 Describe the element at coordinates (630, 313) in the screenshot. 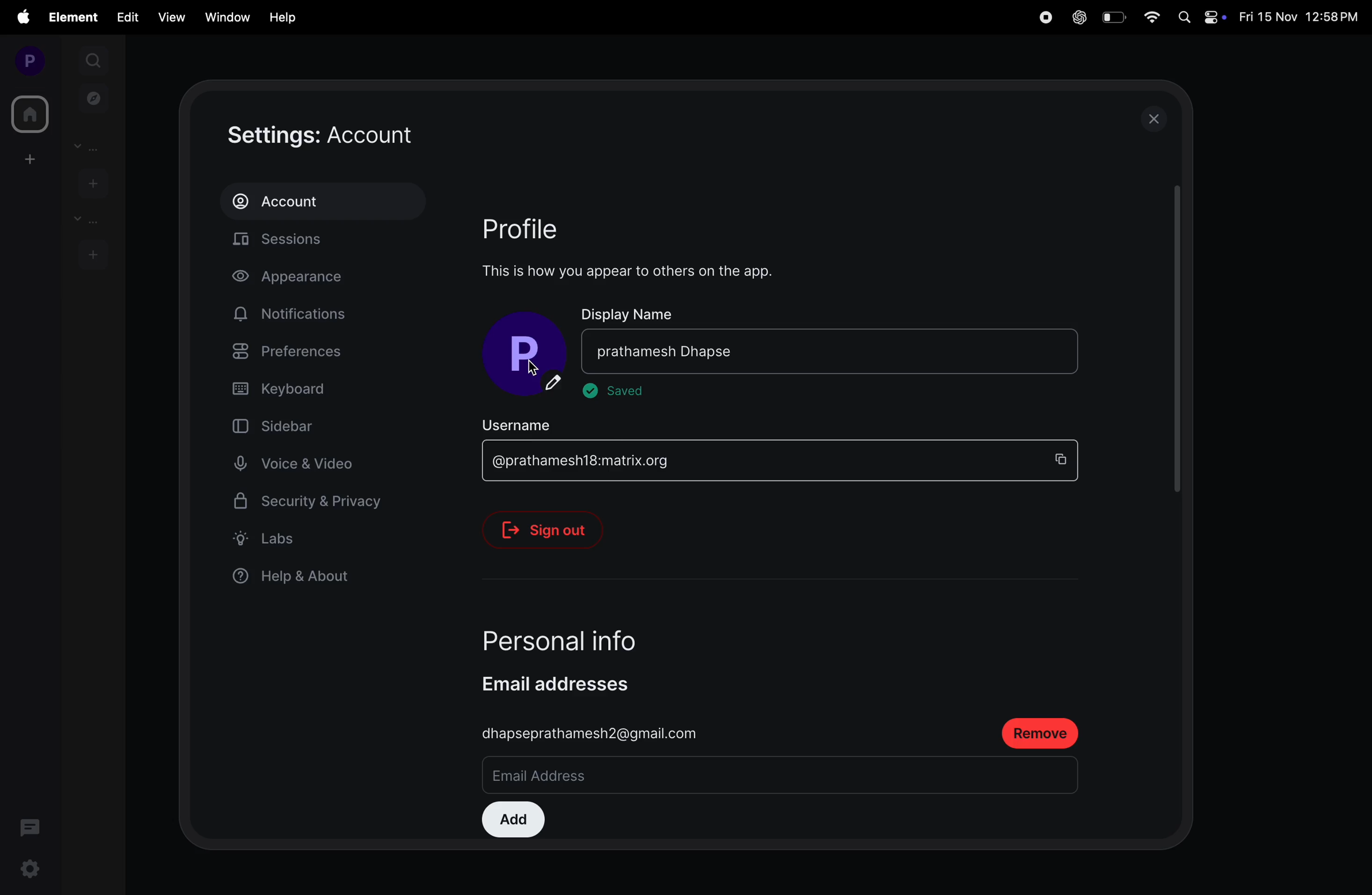

I see `Display name` at that location.